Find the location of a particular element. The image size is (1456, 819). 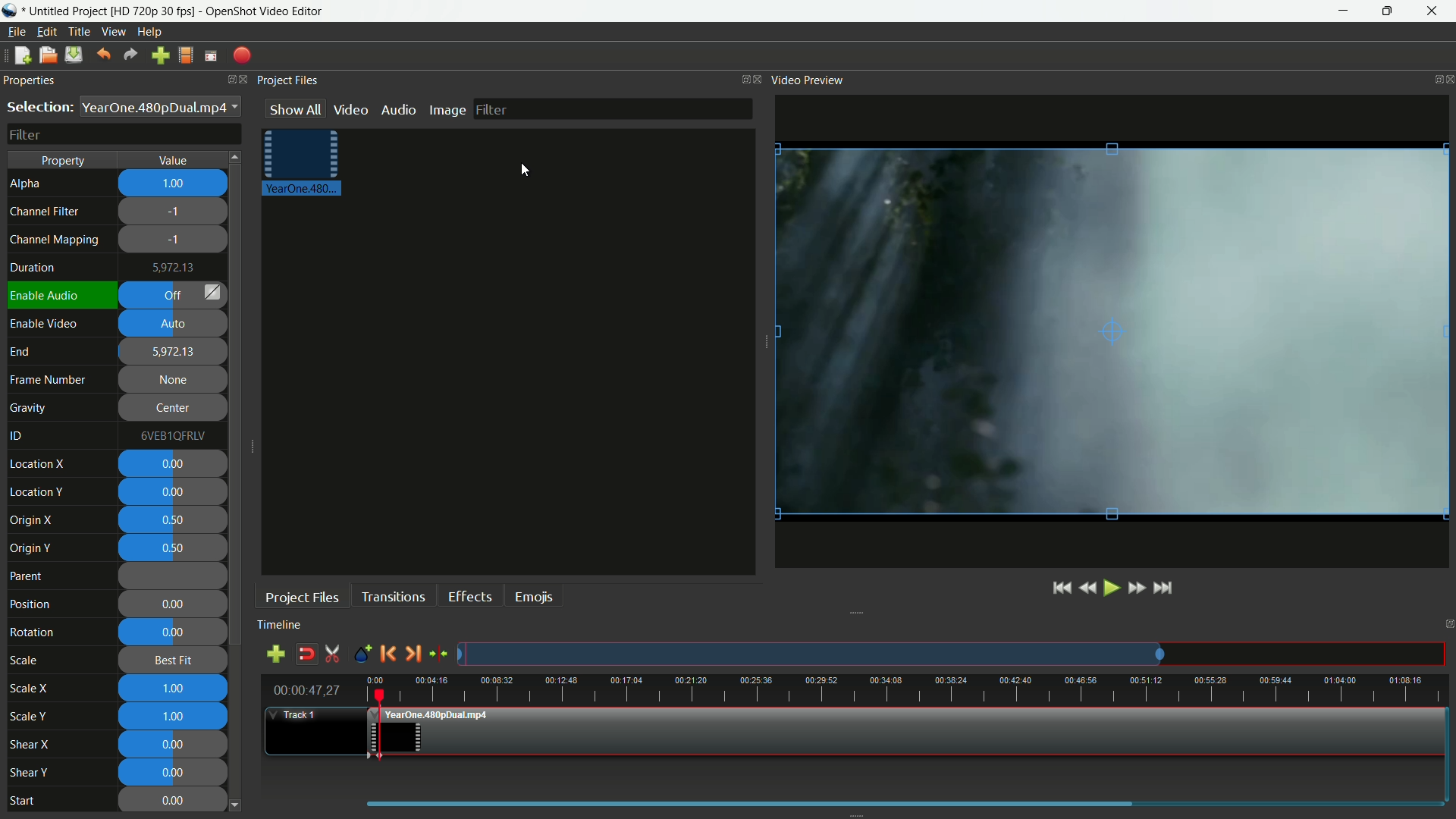

project file is located at coordinates (301, 164).